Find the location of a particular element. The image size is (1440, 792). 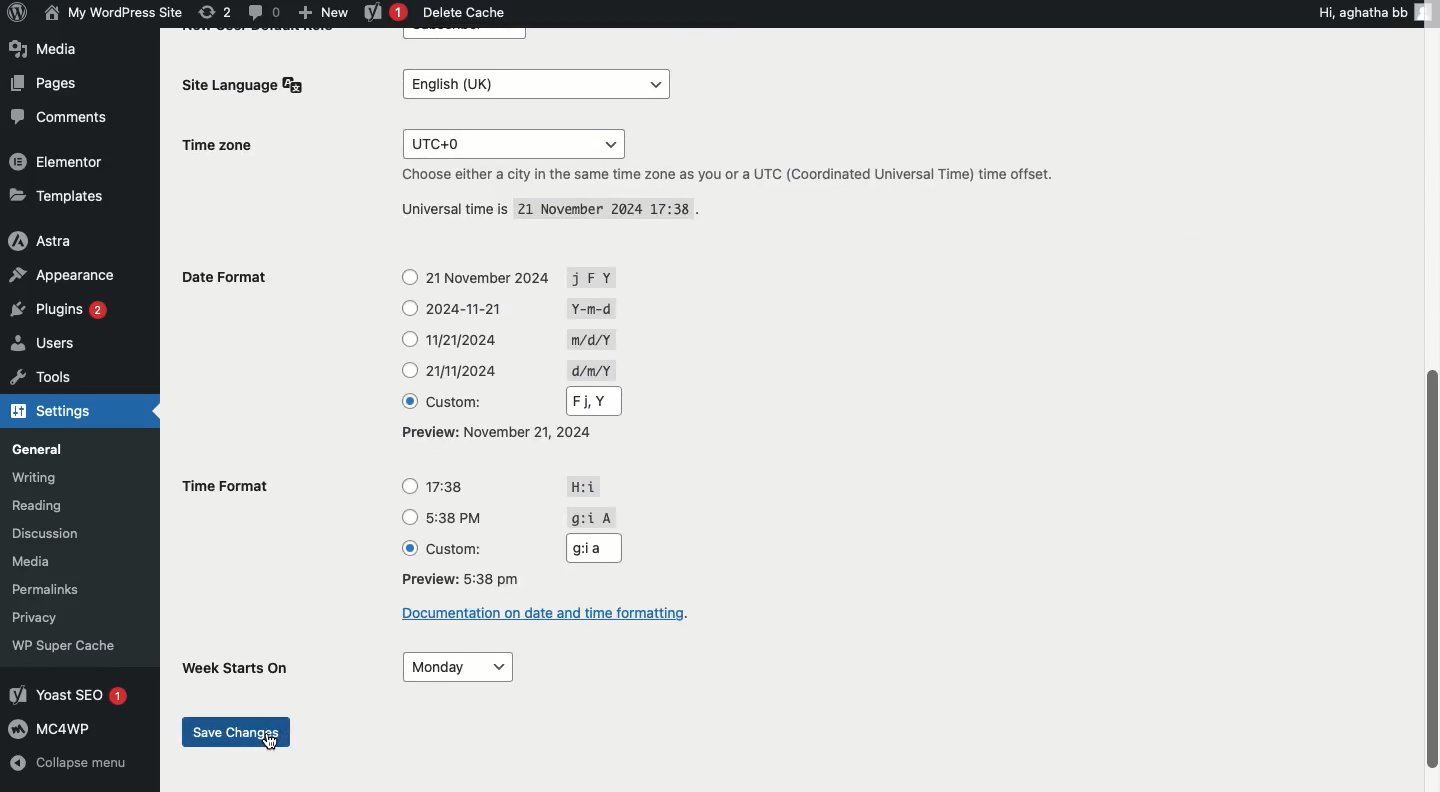

Preview: 5:38 pm is located at coordinates (469, 579).